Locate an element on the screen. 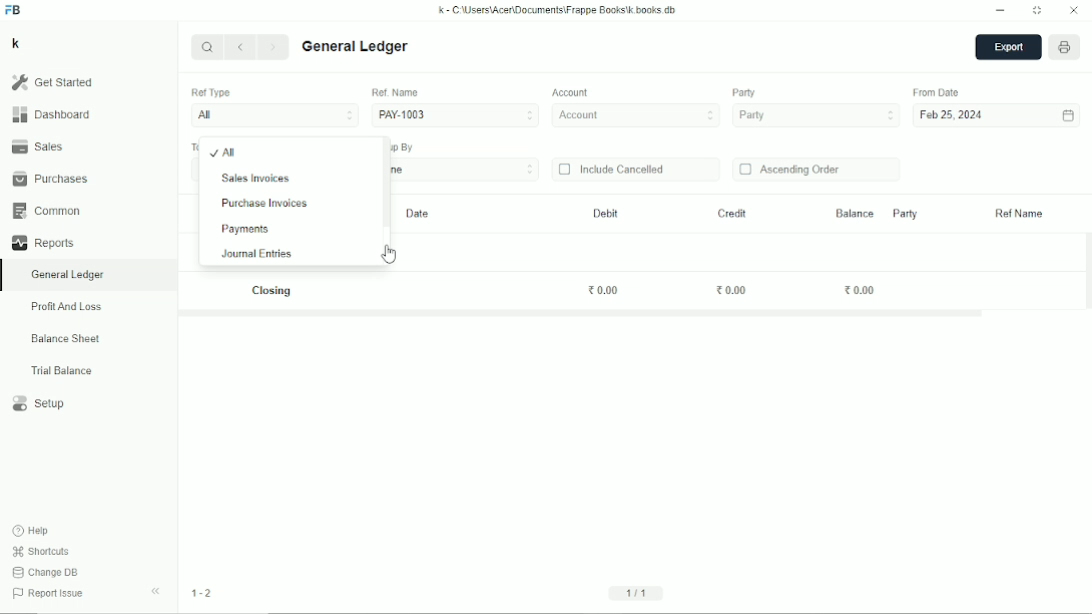  k - C:\Users\Acer\Documents\Frappe books\k.books.db is located at coordinates (558, 10).